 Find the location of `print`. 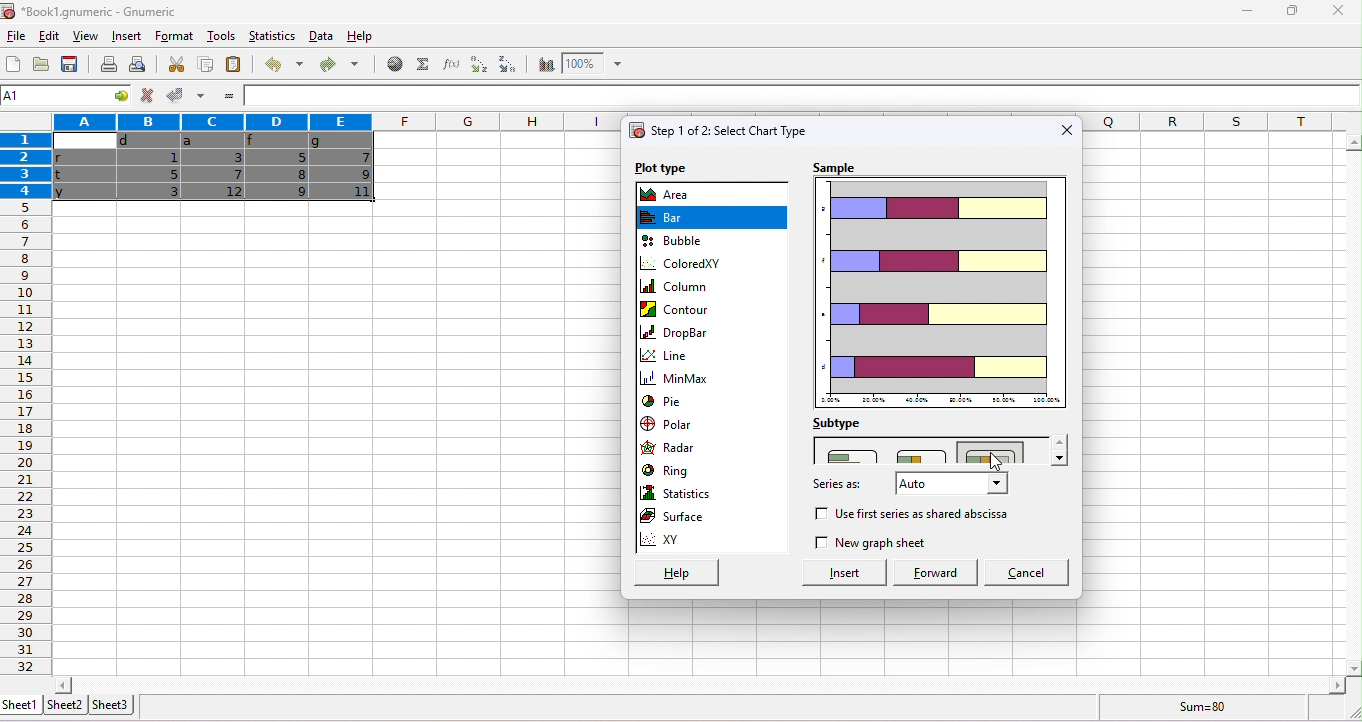

print is located at coordinates (108, 64).